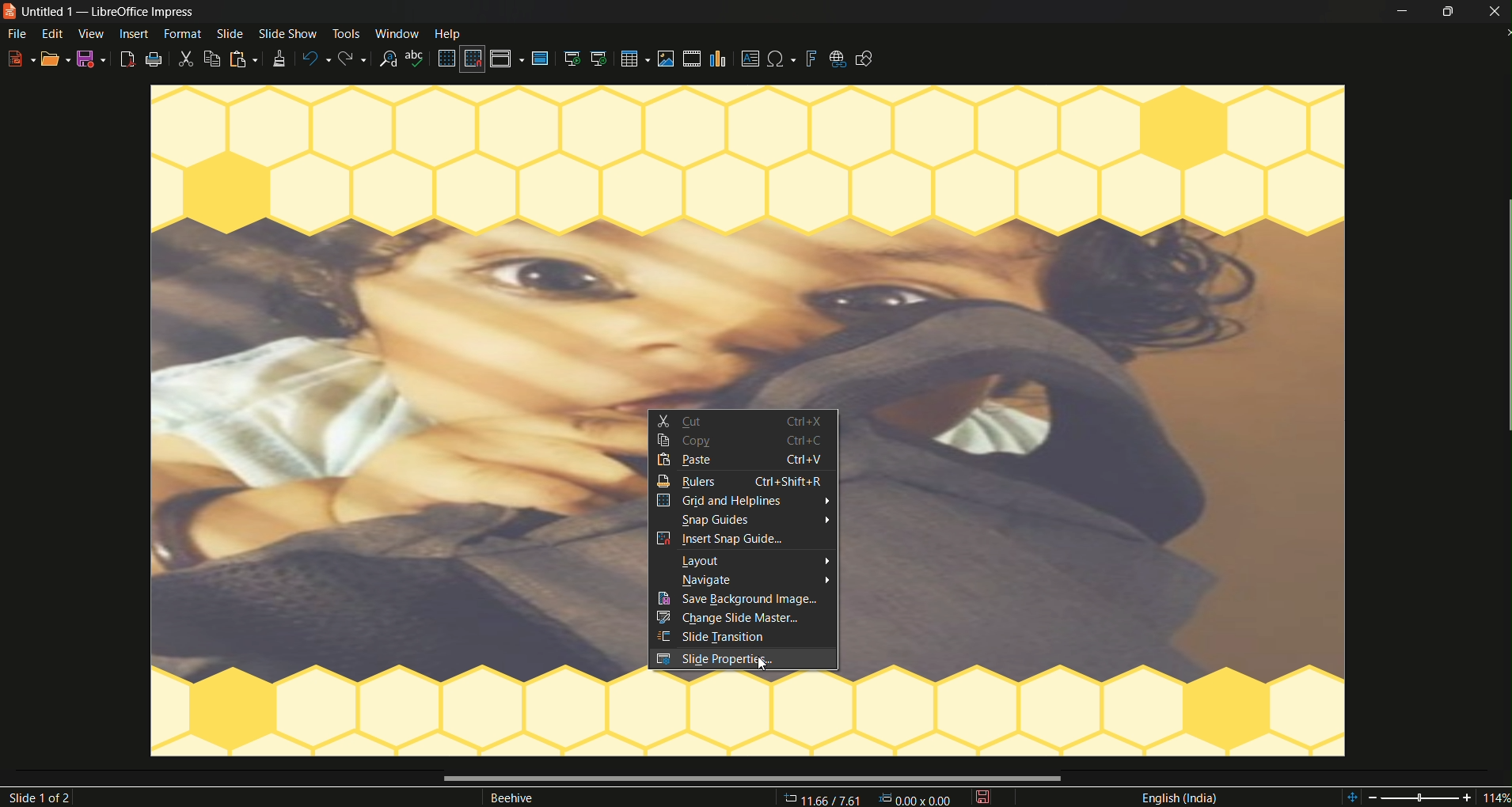 This screenshot has width=1512, height=807. What do you see at coordinates (1179, 798) in the screenshot?
I see `language` at bounding box center [1179, 798].